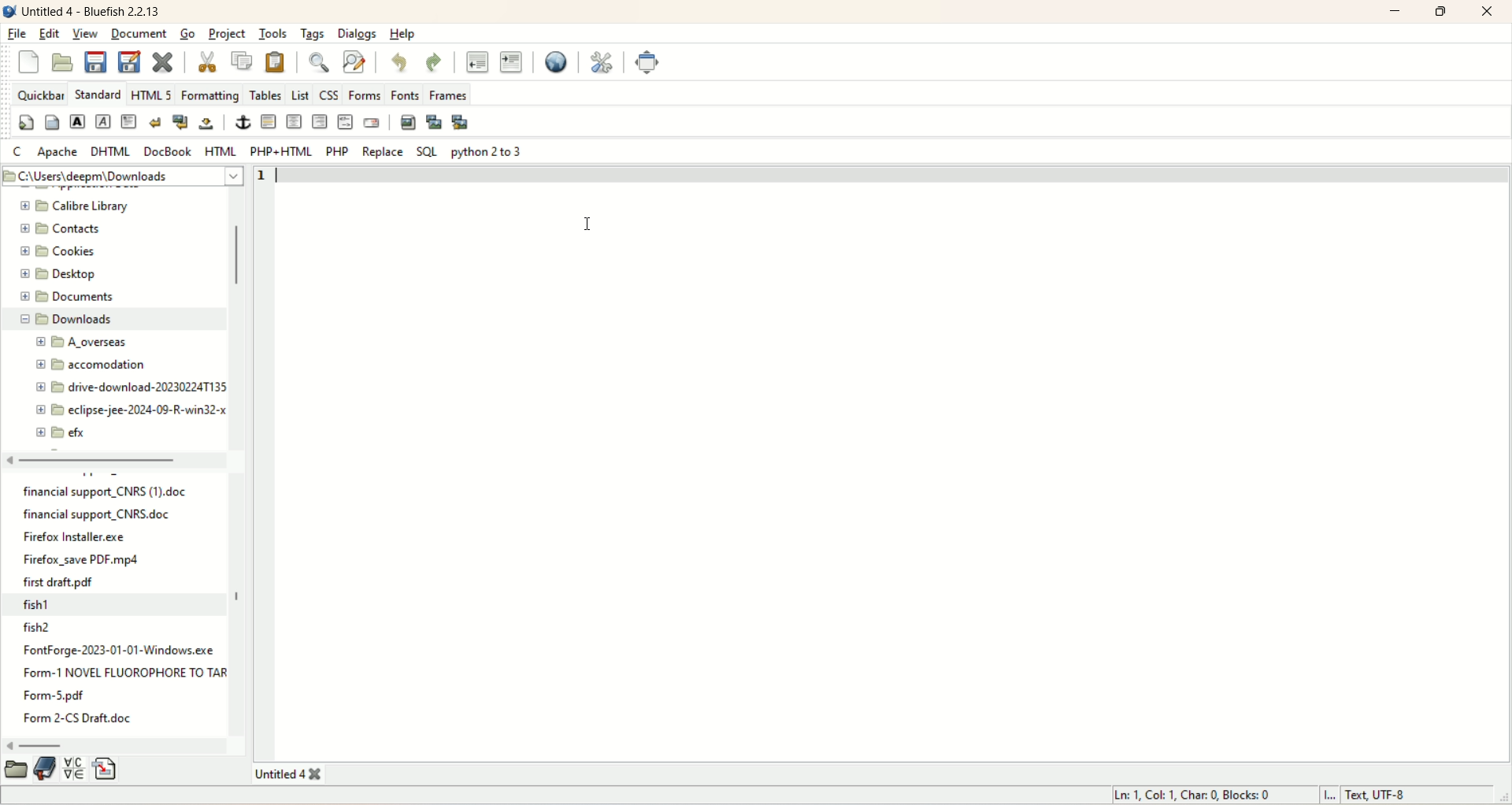  Describe the element at coordinates (163, 62) in the screenshot. I see `close current file` at that location.